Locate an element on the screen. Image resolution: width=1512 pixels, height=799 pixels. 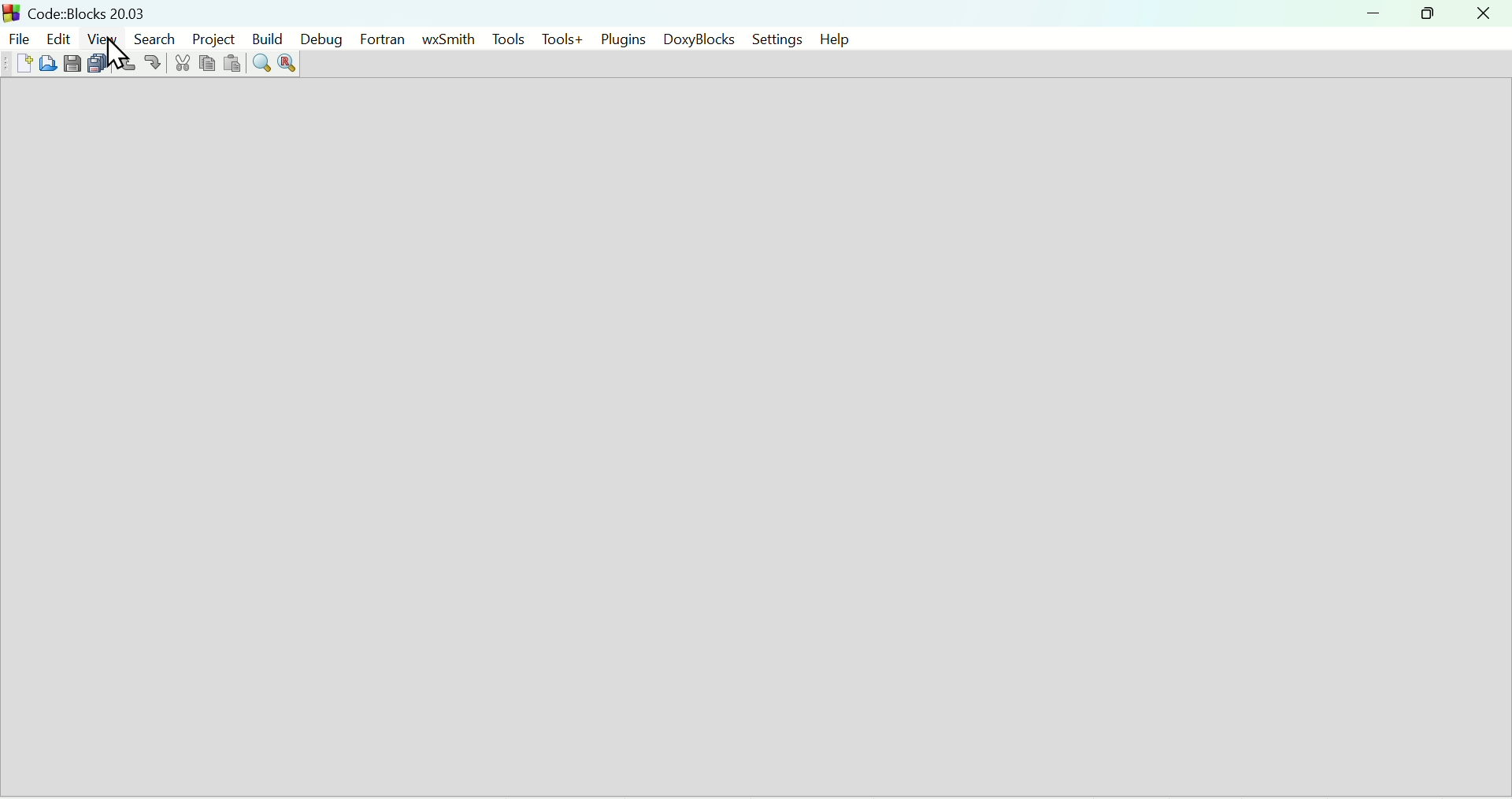
Project is located at coordinates (210, 37).